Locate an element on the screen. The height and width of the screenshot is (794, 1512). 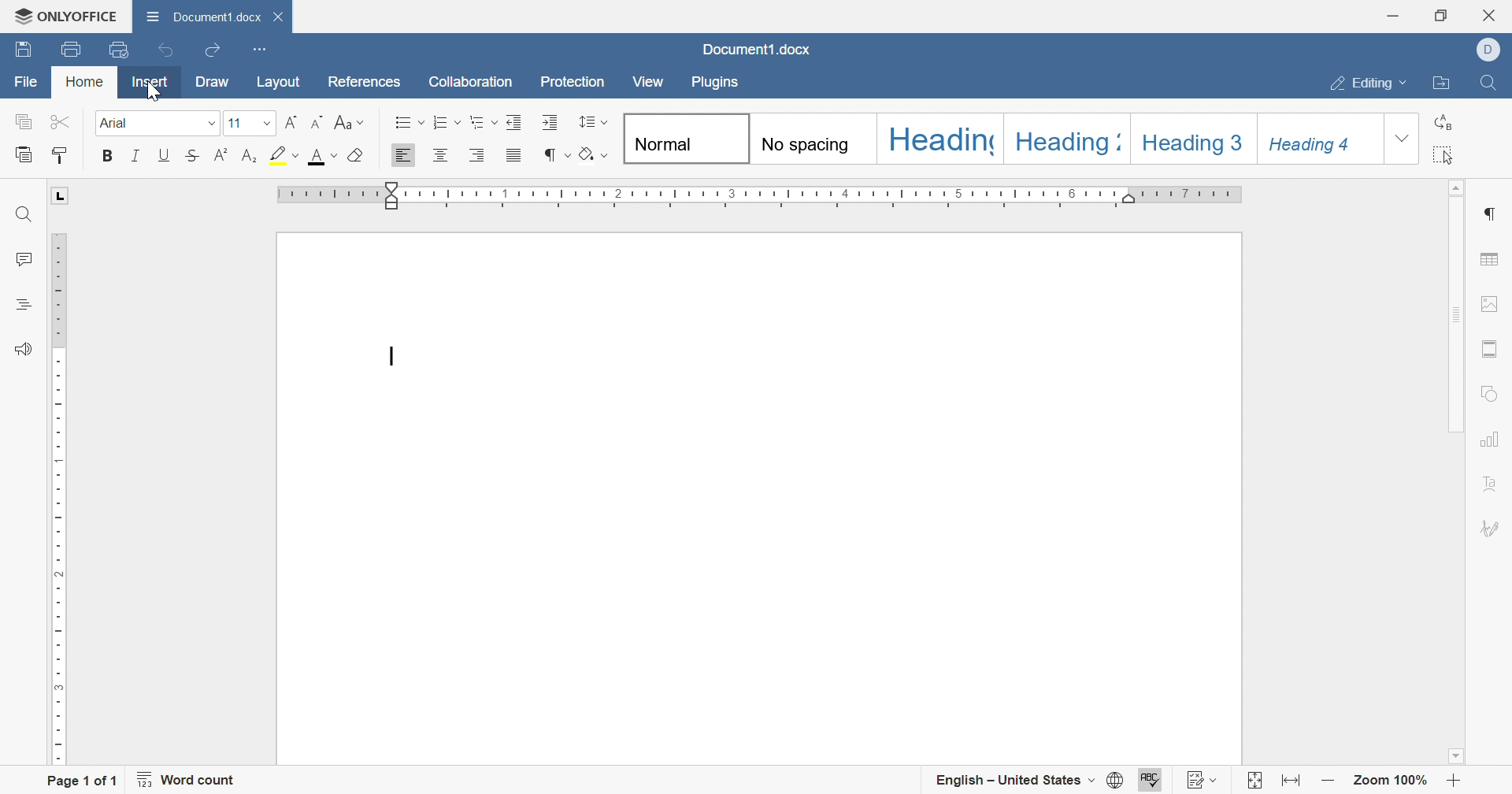
Customize Quick Access Toolbar is located at coordinates (256, 50).